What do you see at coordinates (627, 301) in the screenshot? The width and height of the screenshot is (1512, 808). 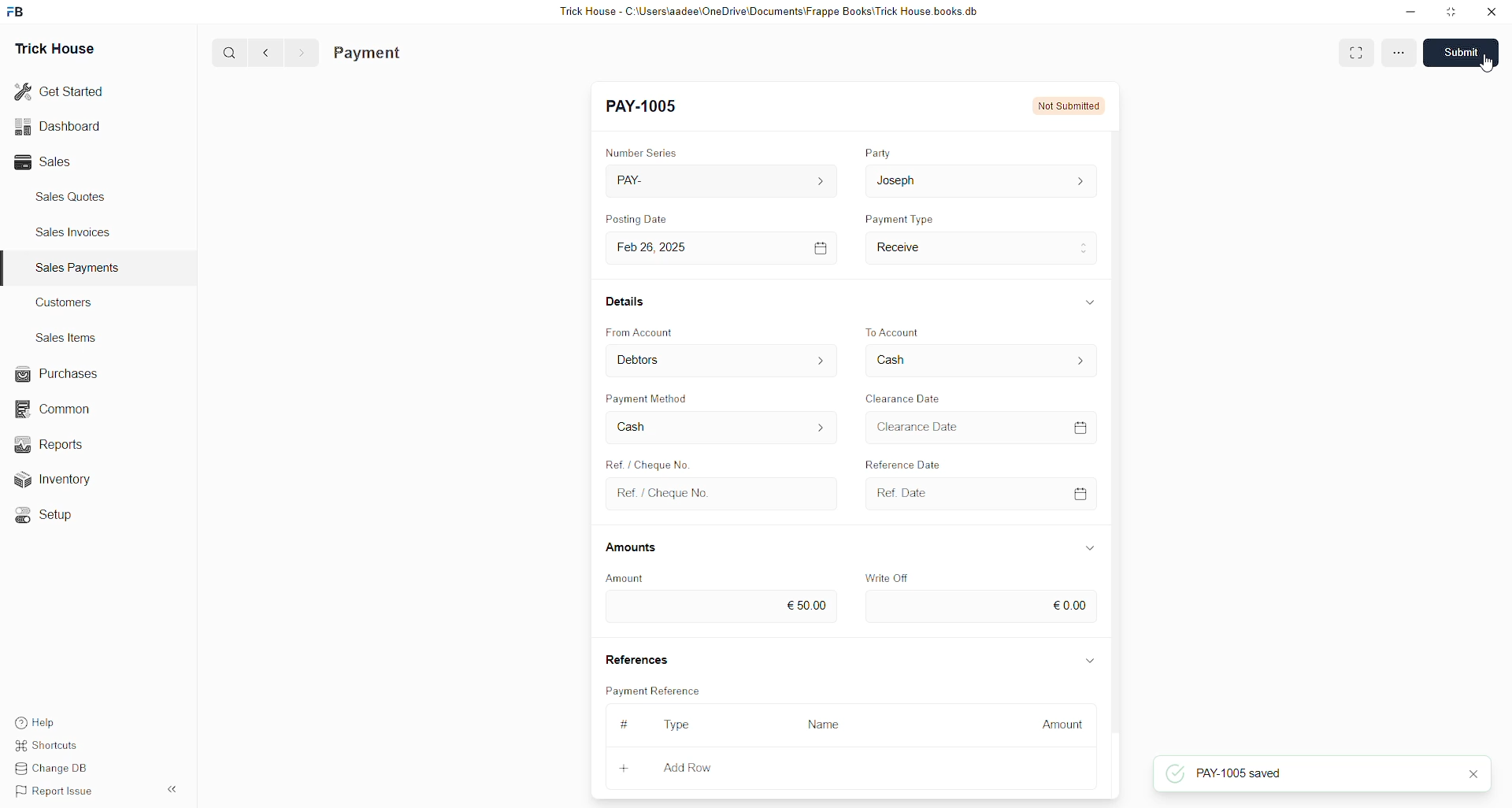 I see `Details` at bounding box center [627, 301].